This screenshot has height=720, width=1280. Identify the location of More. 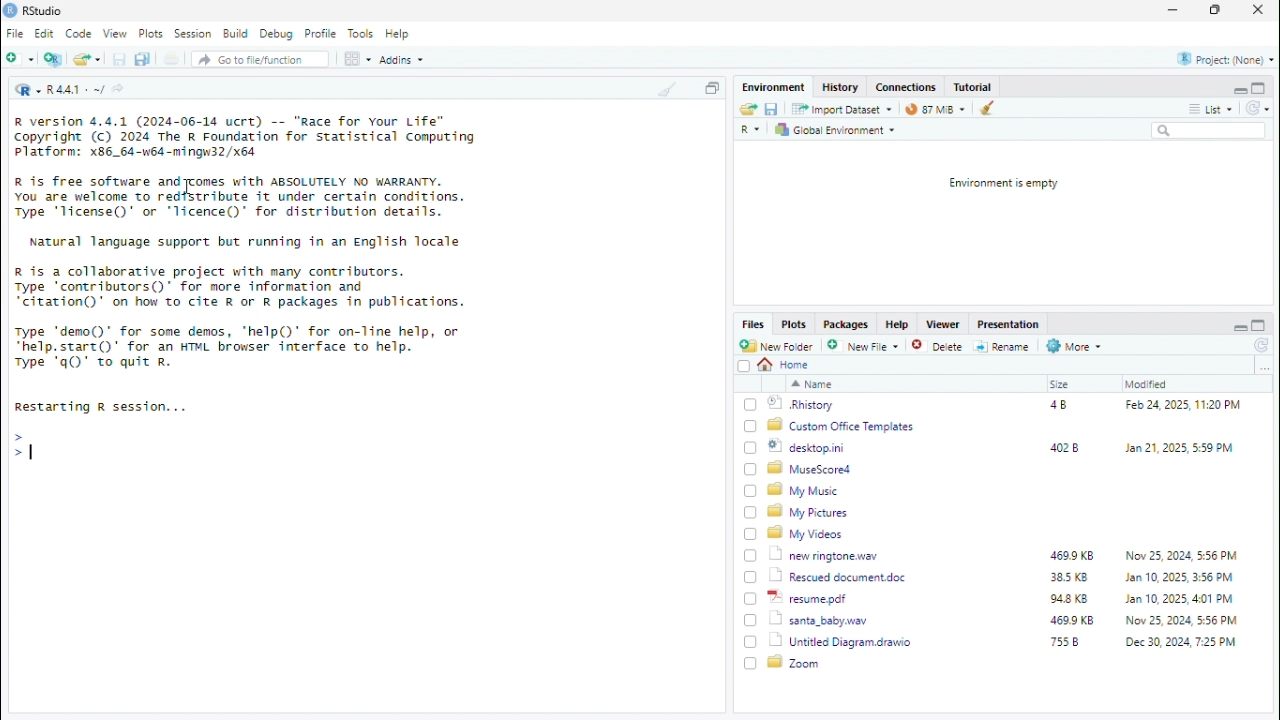
(1075, 346).